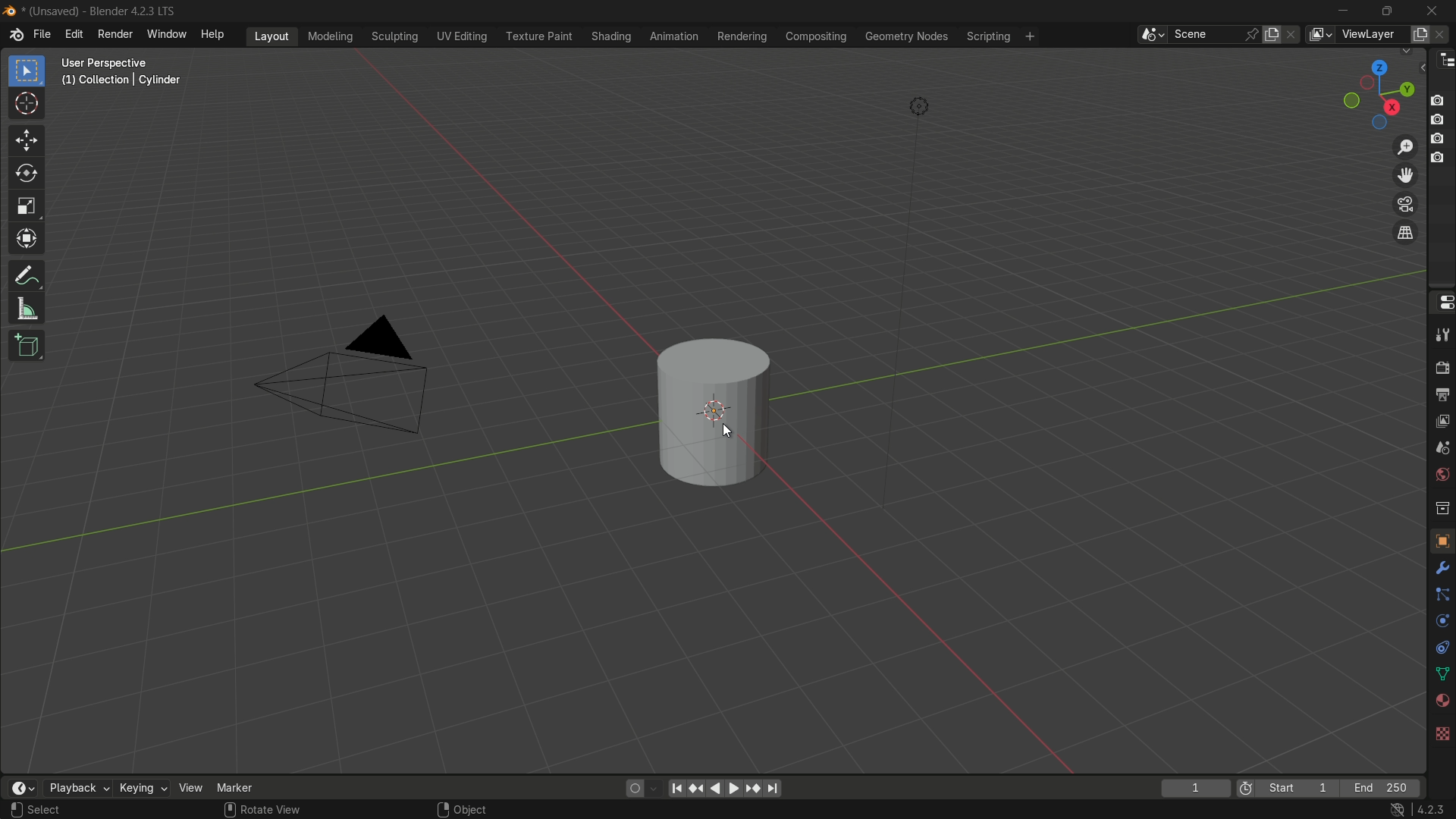  Describe the element at coordinates (1246, 787) in the screenshot. I see `icon` at that location.